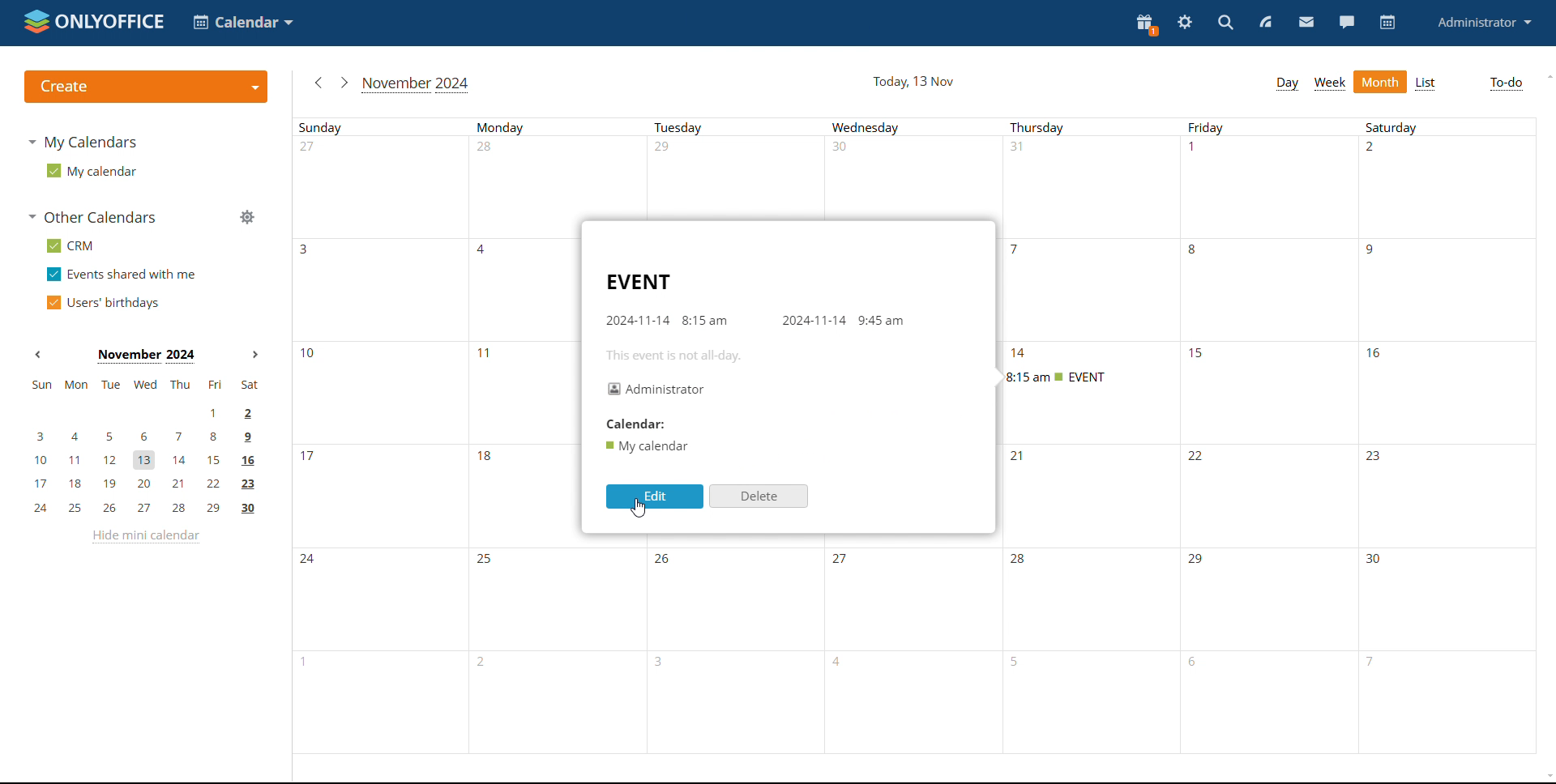 The image size is (1556, 784). Describe the element at coordinates (1331, 83) in the screenshot. I see `week view` at that location.